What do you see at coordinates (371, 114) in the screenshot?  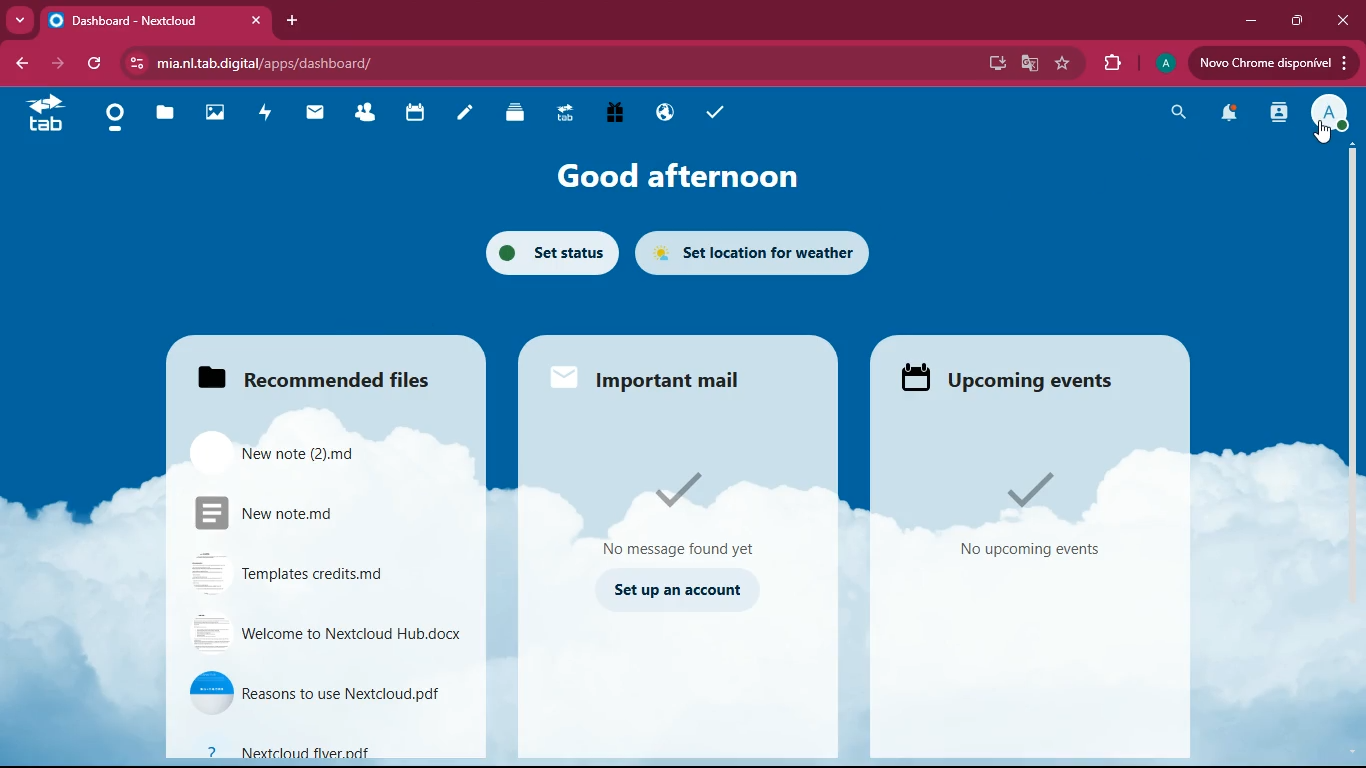 I see `friends` at bounding box center [371, 114].